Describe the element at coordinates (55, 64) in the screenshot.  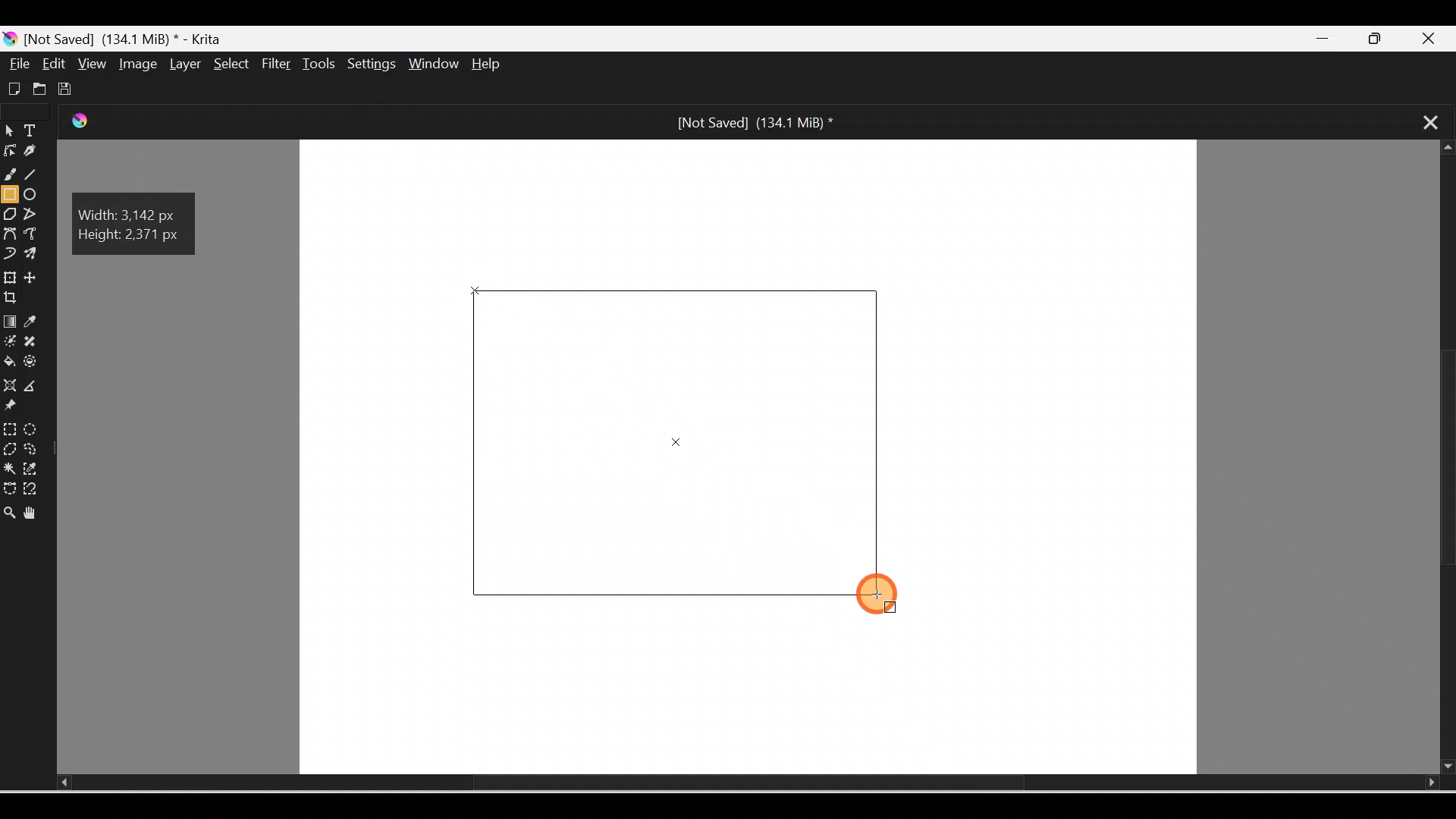
I see `Edit` at that location.